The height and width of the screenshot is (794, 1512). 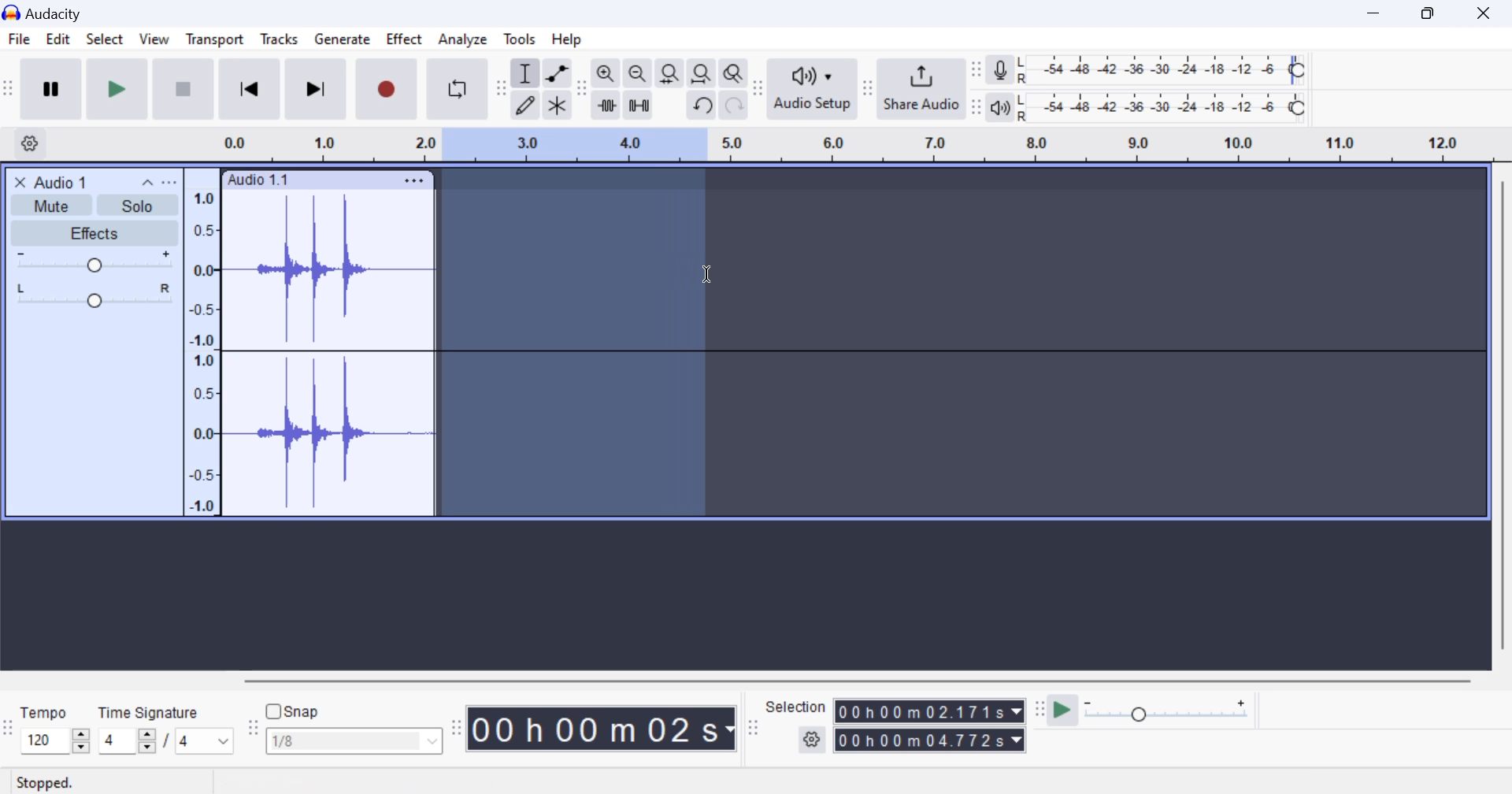 I want to click on fit project to width, so click(x=702, y=74).